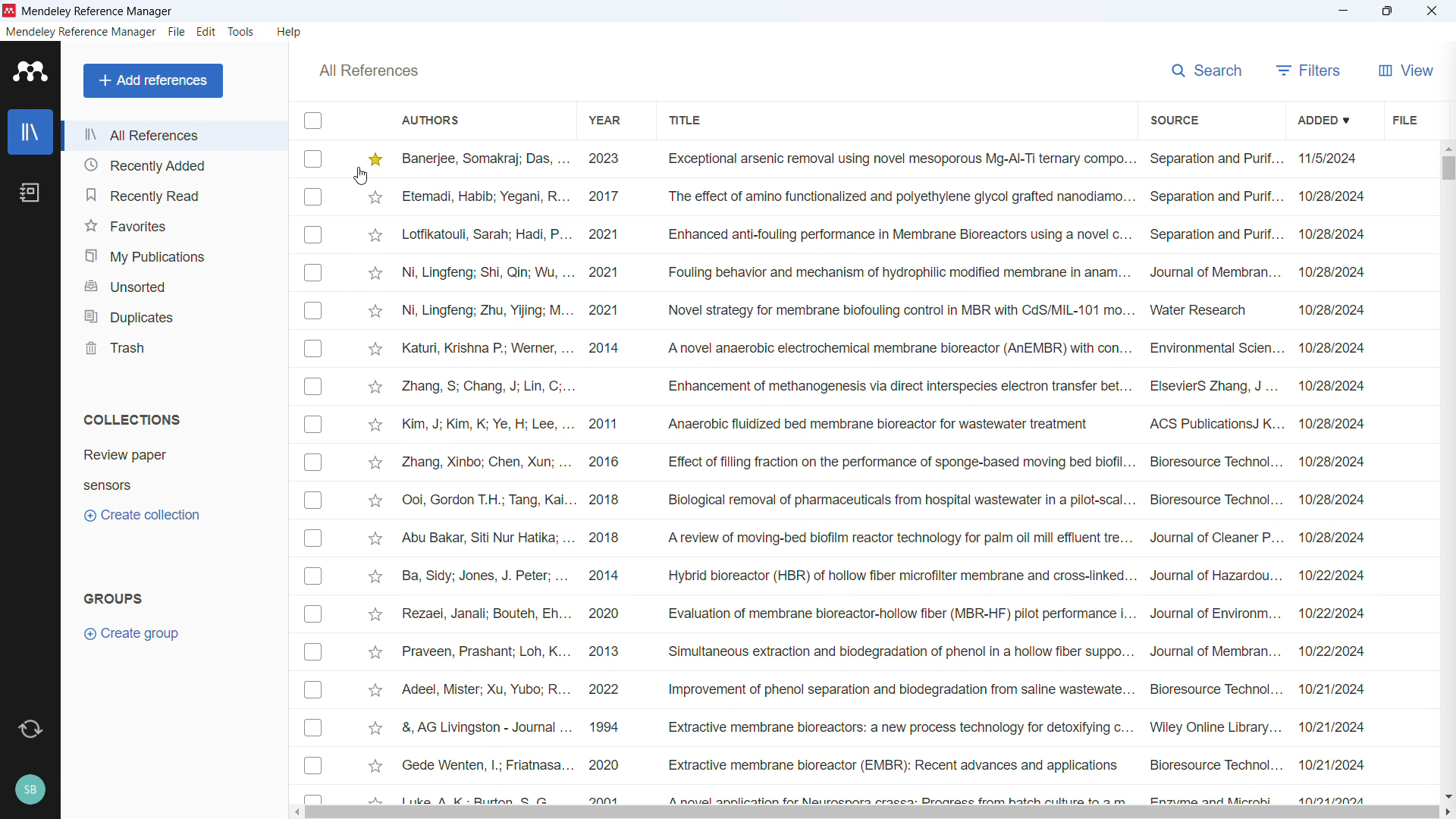 This screenshot has height=819, width=1456. What do you see at coordinates (124, 456) in the screenshot?
I see `Collection 1 ` at bounding box center [124, 456].